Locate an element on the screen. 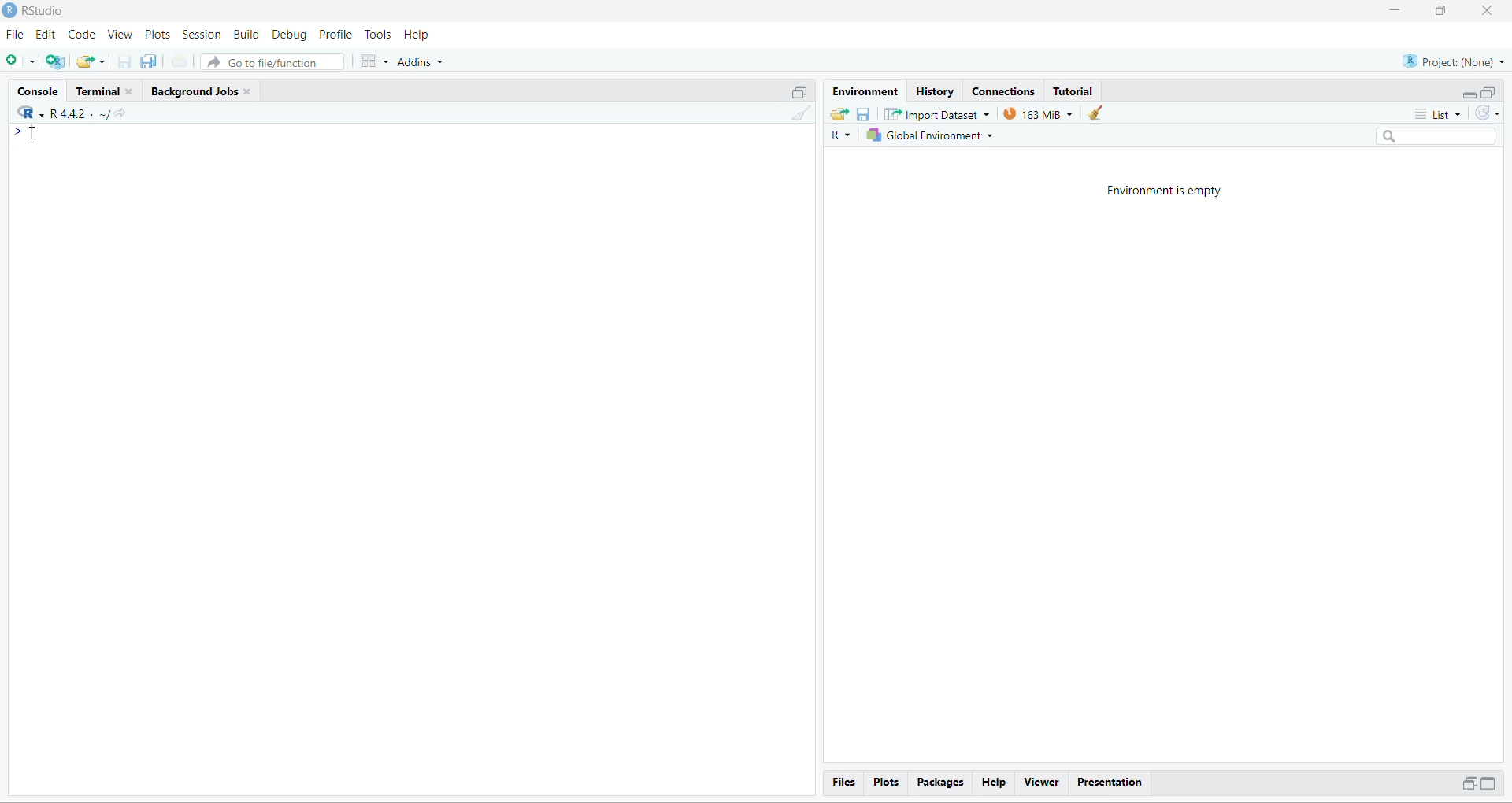 The image size is (1512, 803). open existing project is located at coordinates (91, 61).